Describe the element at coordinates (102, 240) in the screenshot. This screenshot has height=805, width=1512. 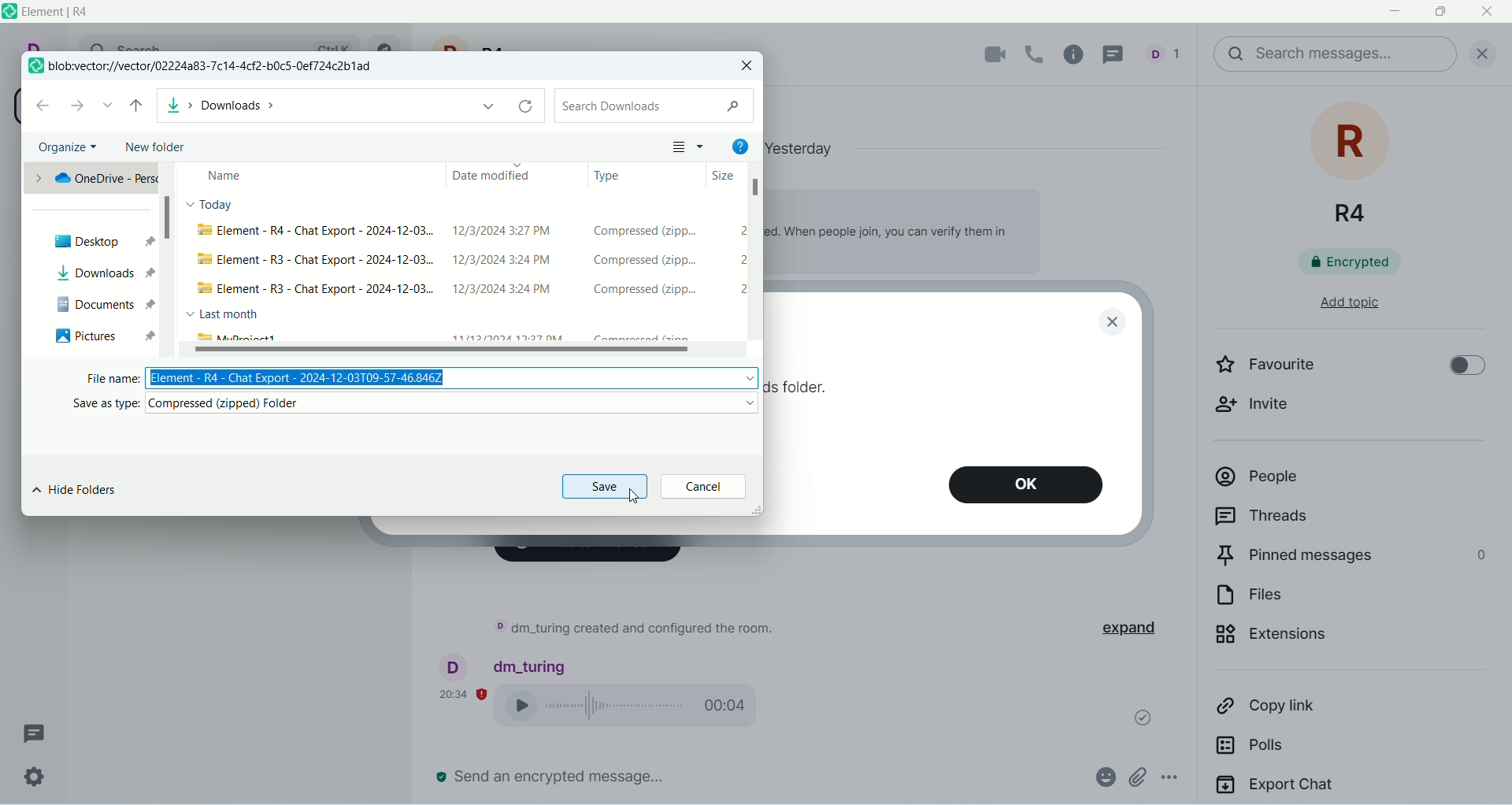
I see `desktop` at that location.